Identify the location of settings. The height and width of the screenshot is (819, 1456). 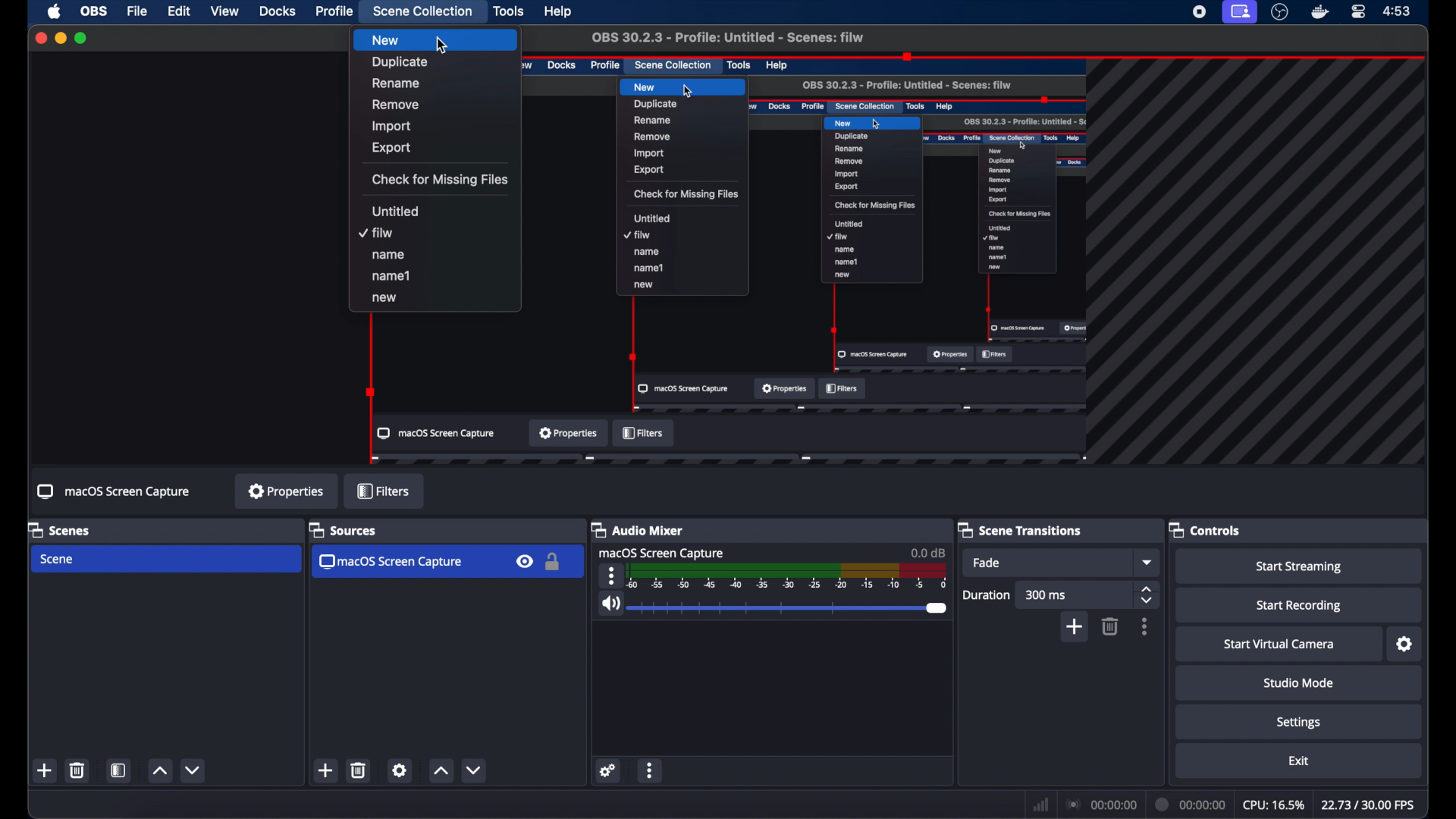
(400, 770).